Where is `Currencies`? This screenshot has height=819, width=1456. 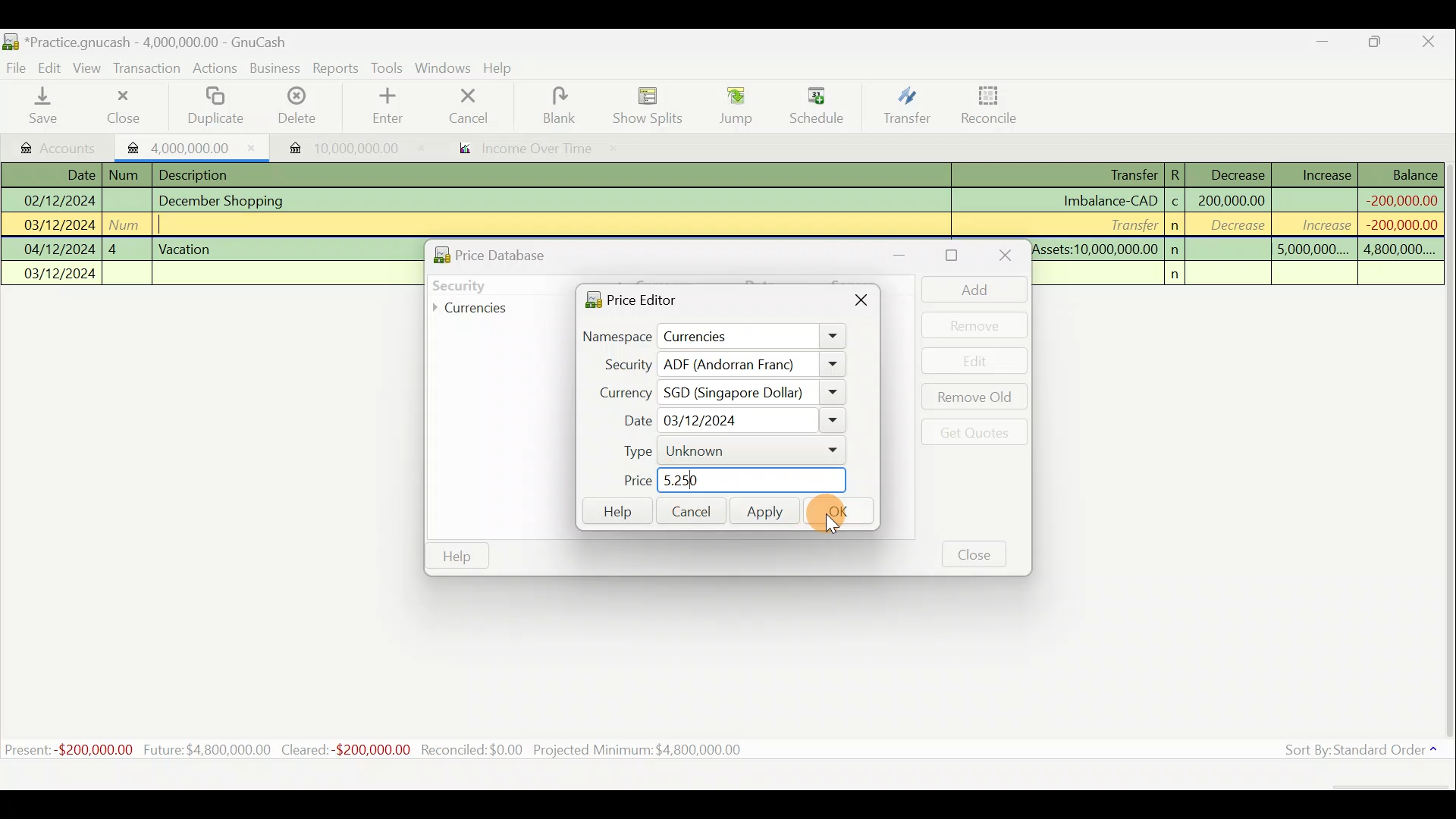 Currencies is located at coordinates (481, 309).